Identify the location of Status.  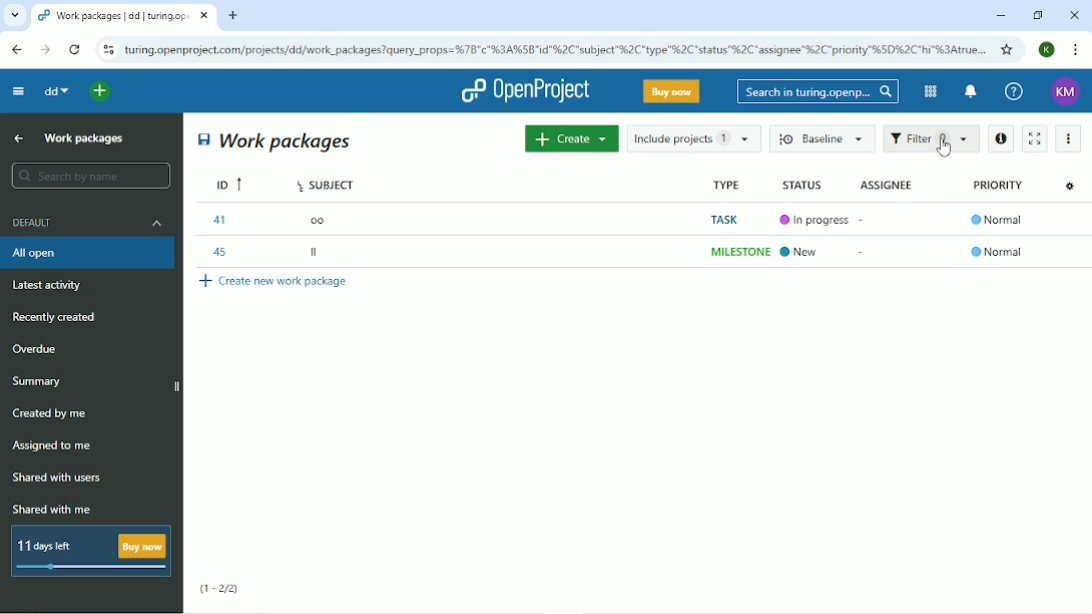
(802, 185).